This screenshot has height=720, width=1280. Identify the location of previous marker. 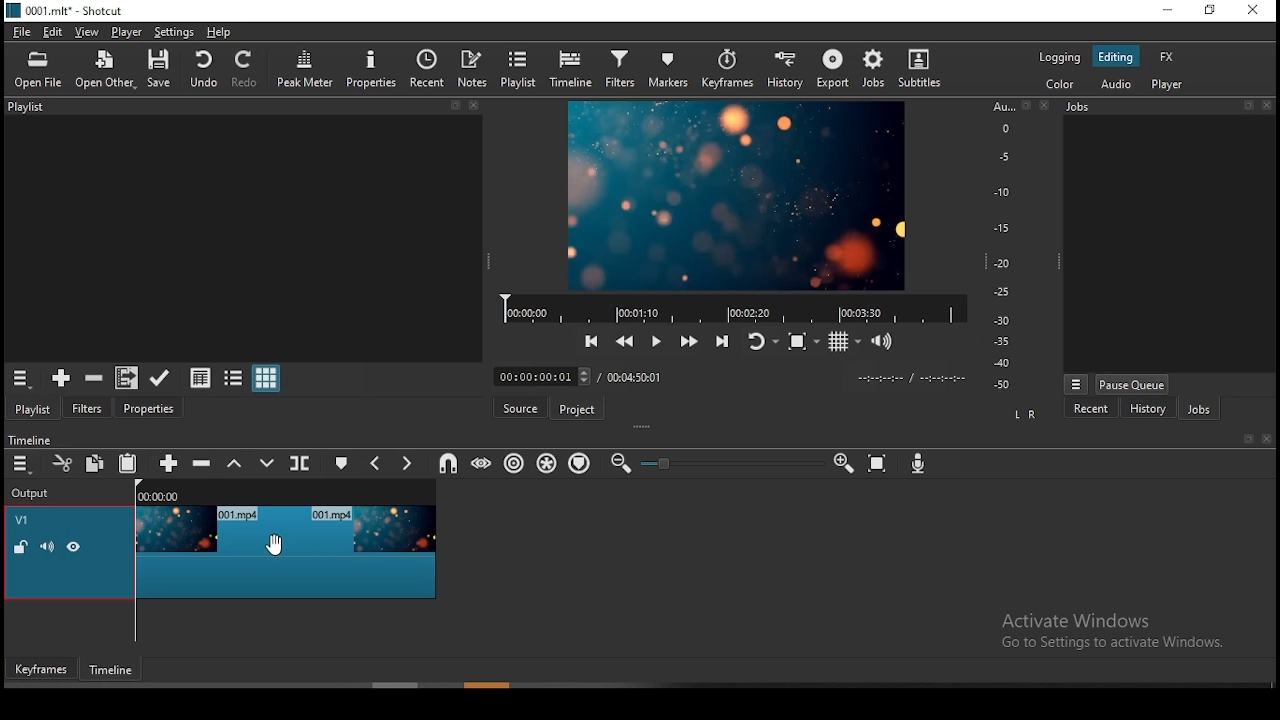
(375, 461).